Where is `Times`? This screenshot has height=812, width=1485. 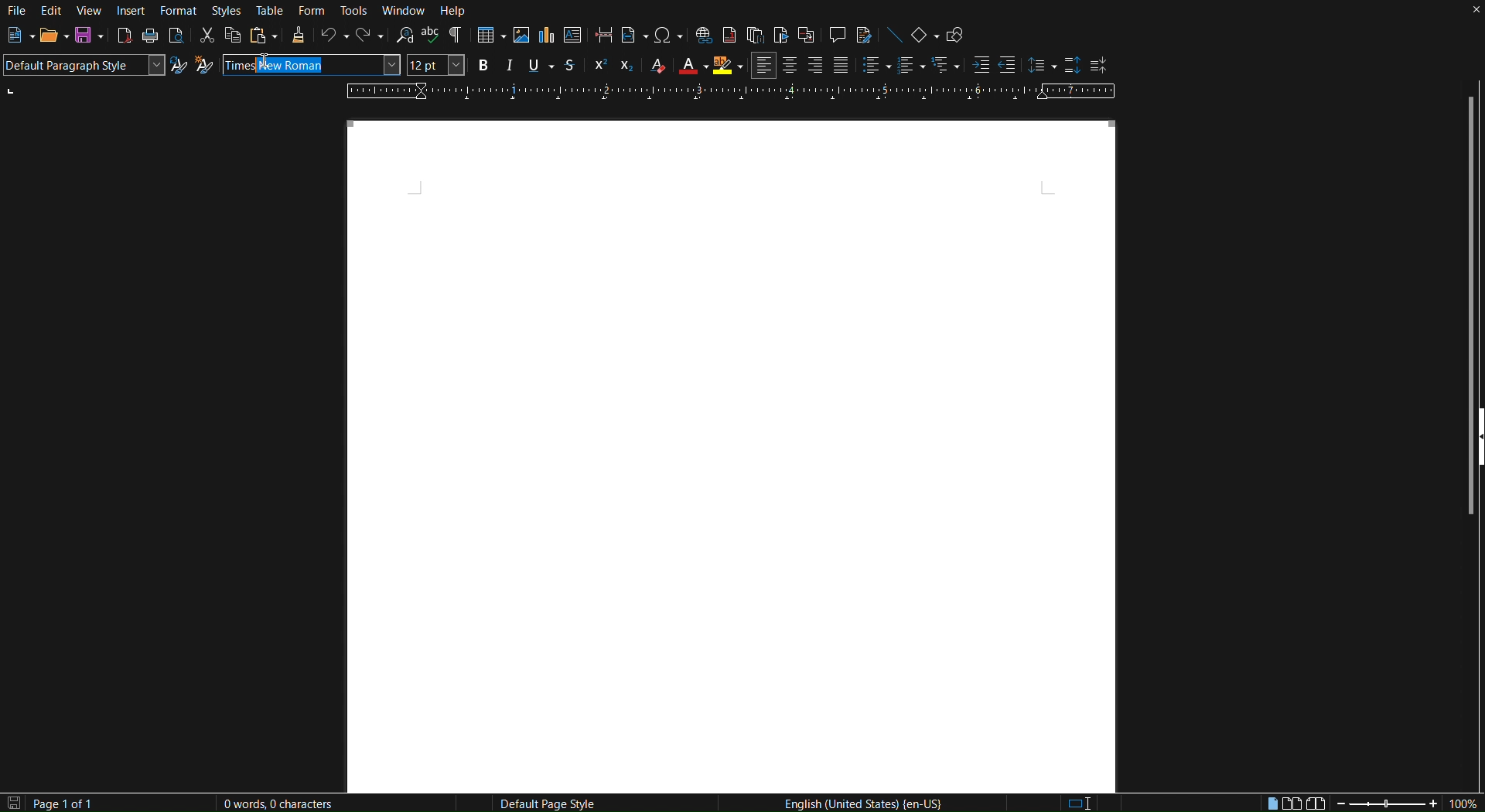 Times is located at coordinates (240, 63).